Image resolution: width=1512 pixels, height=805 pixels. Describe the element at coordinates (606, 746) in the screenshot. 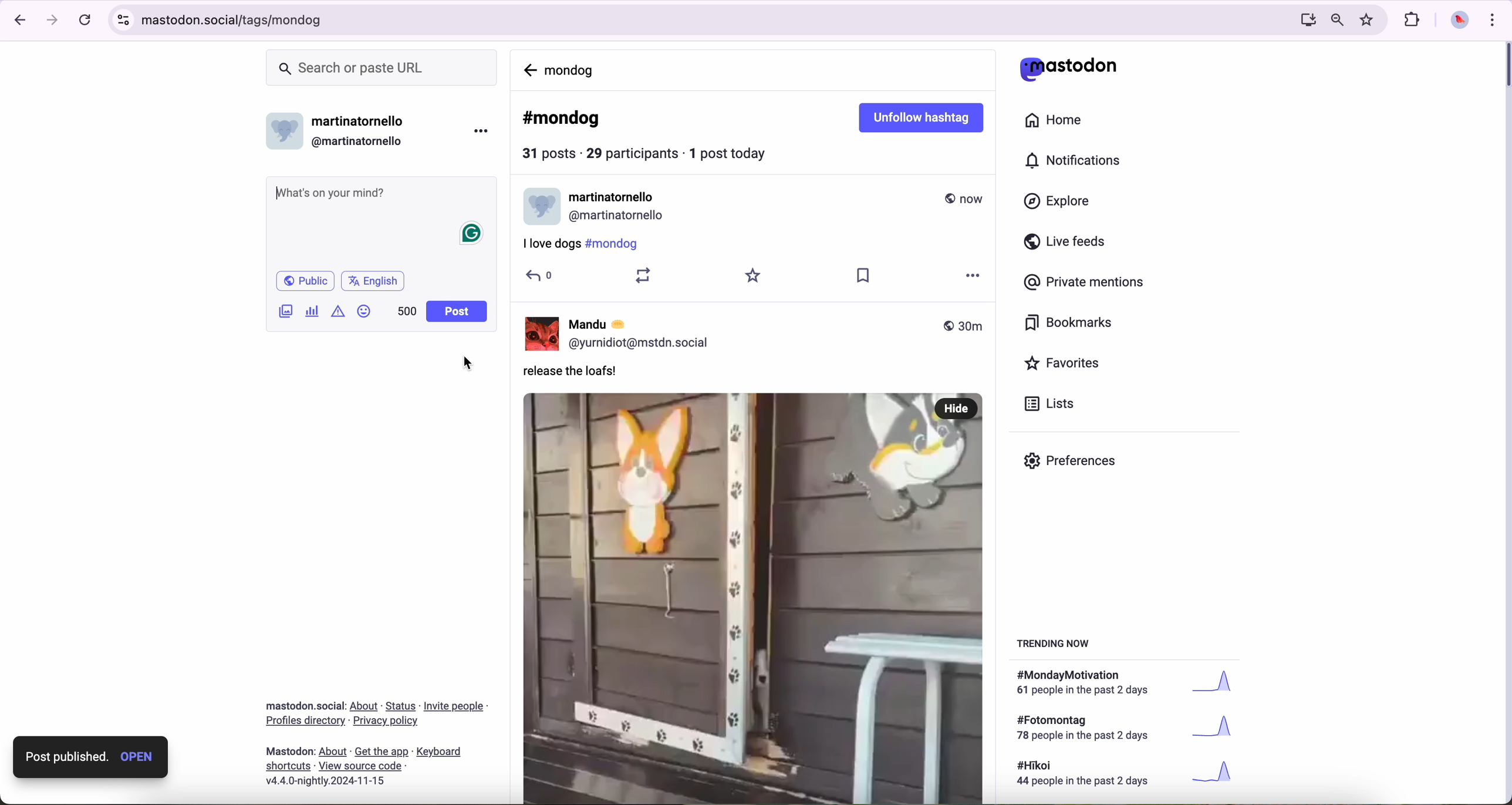

I see `#mondog` at that location.